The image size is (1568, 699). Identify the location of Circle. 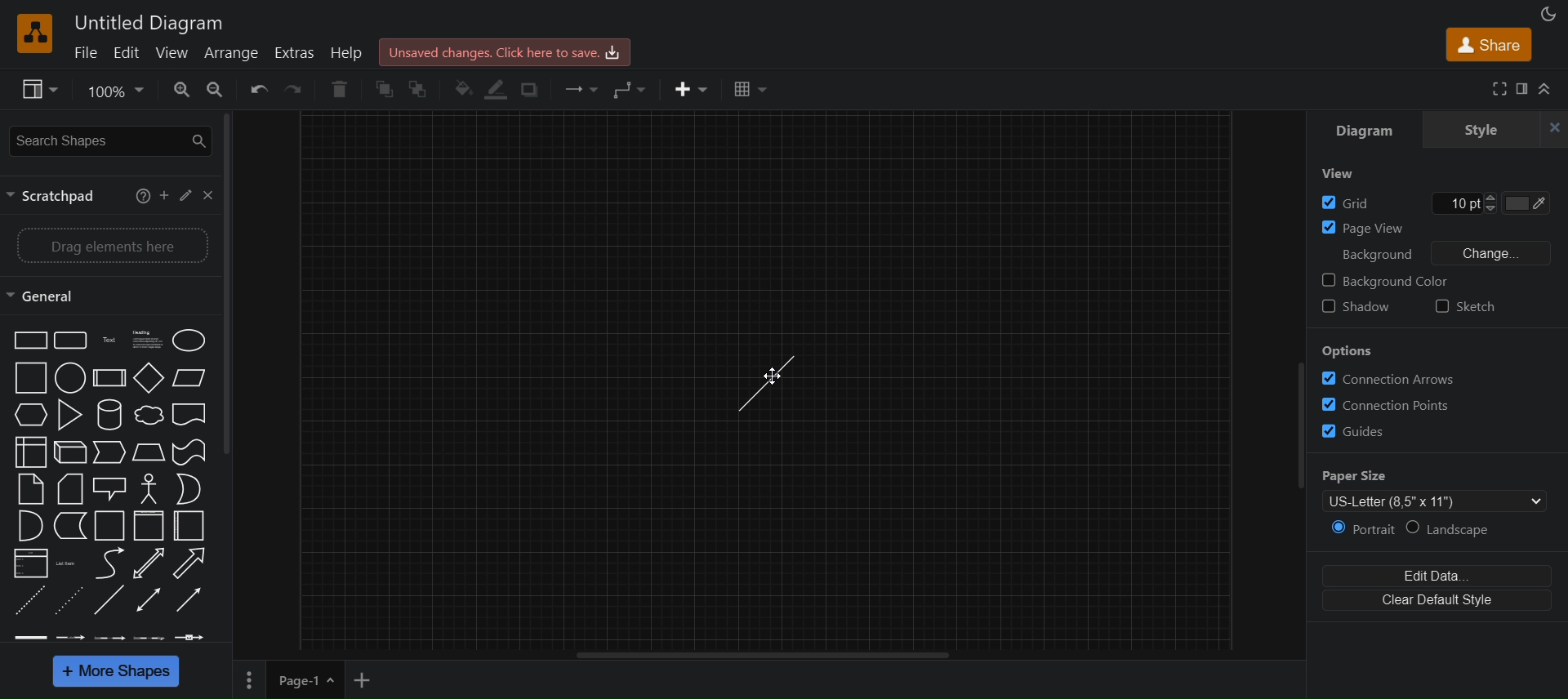
(190, 339).